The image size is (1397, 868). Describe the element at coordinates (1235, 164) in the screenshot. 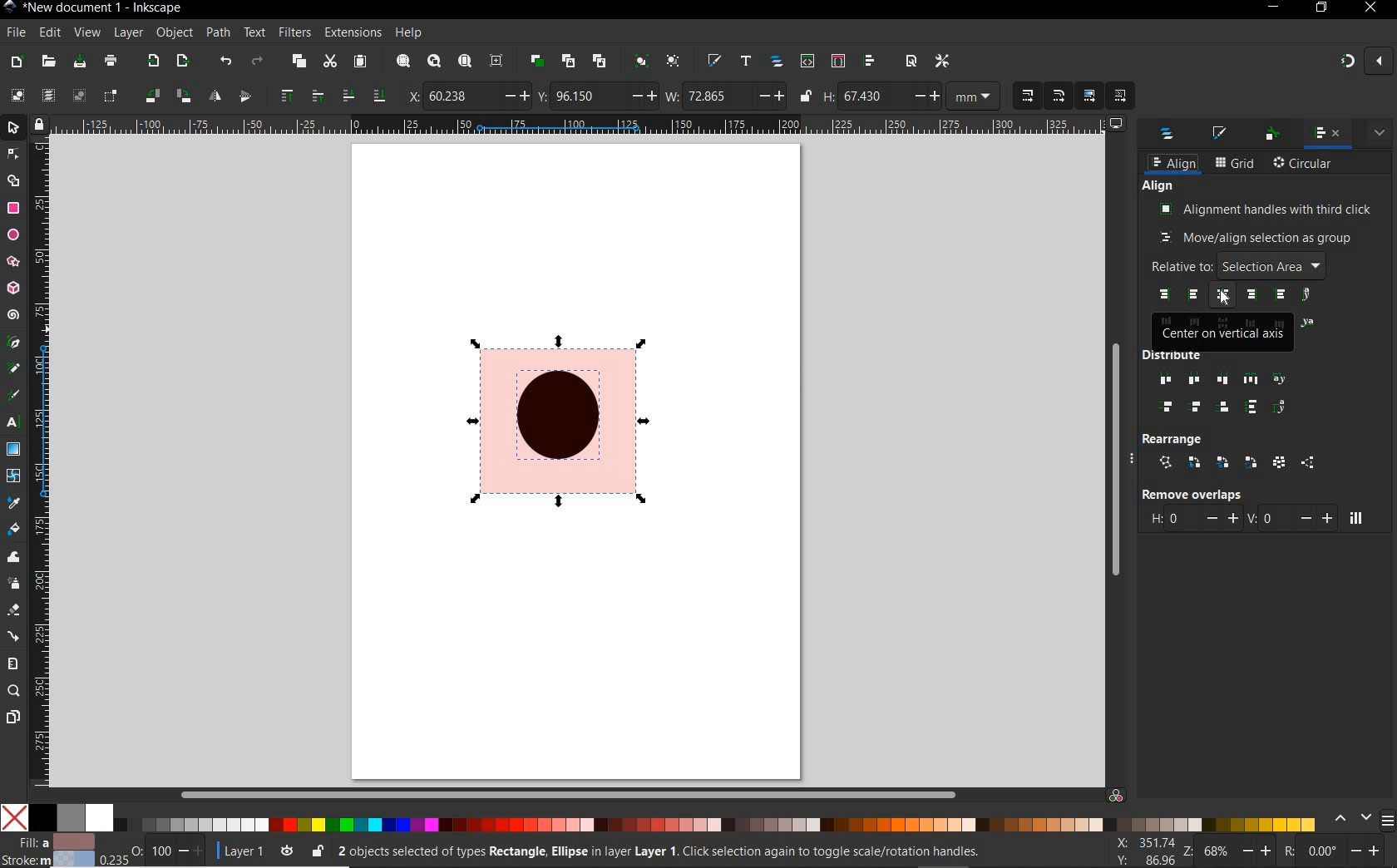

I see `grid` at that location.